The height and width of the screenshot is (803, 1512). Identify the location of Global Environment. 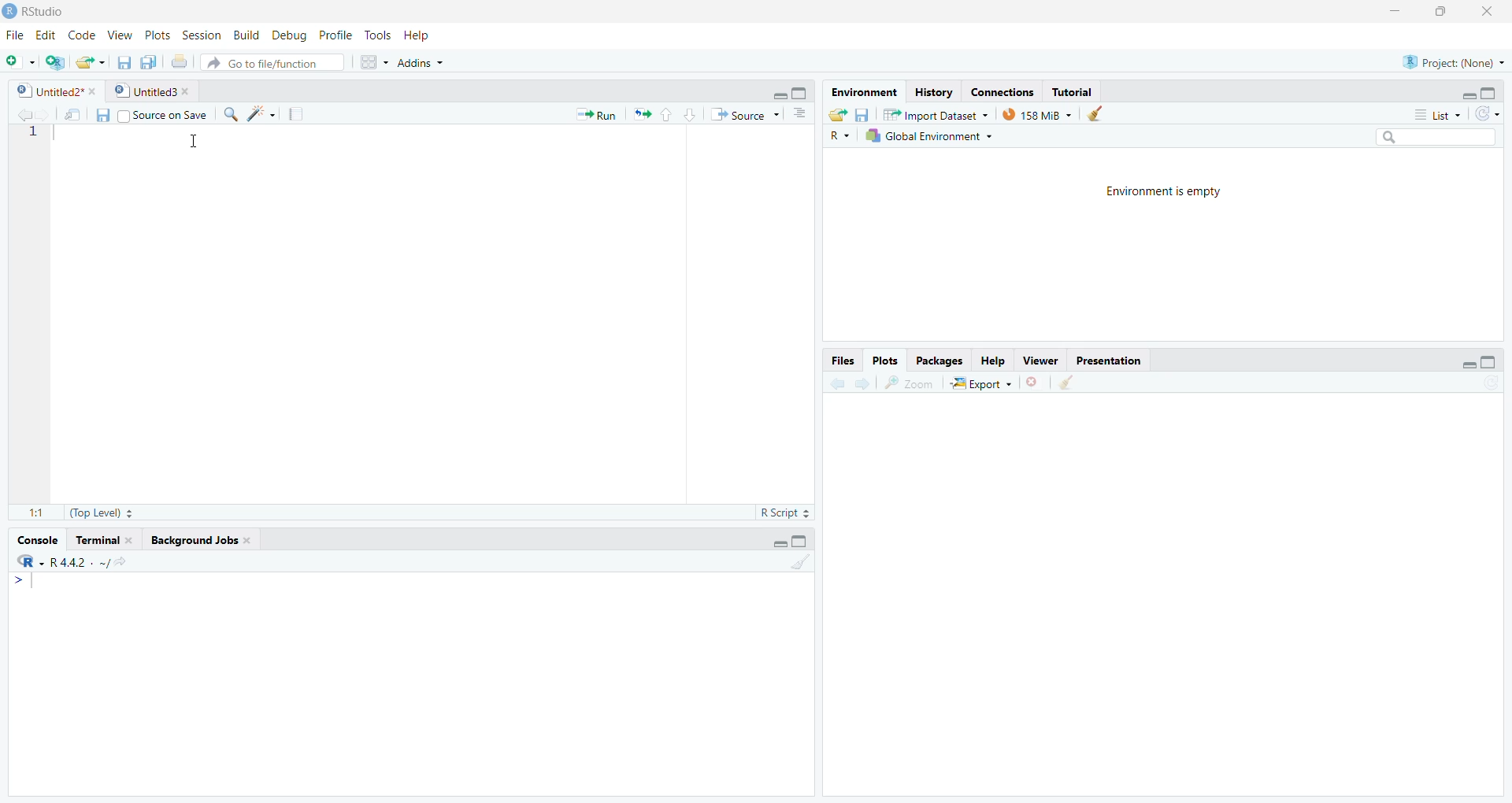
(928, 135).